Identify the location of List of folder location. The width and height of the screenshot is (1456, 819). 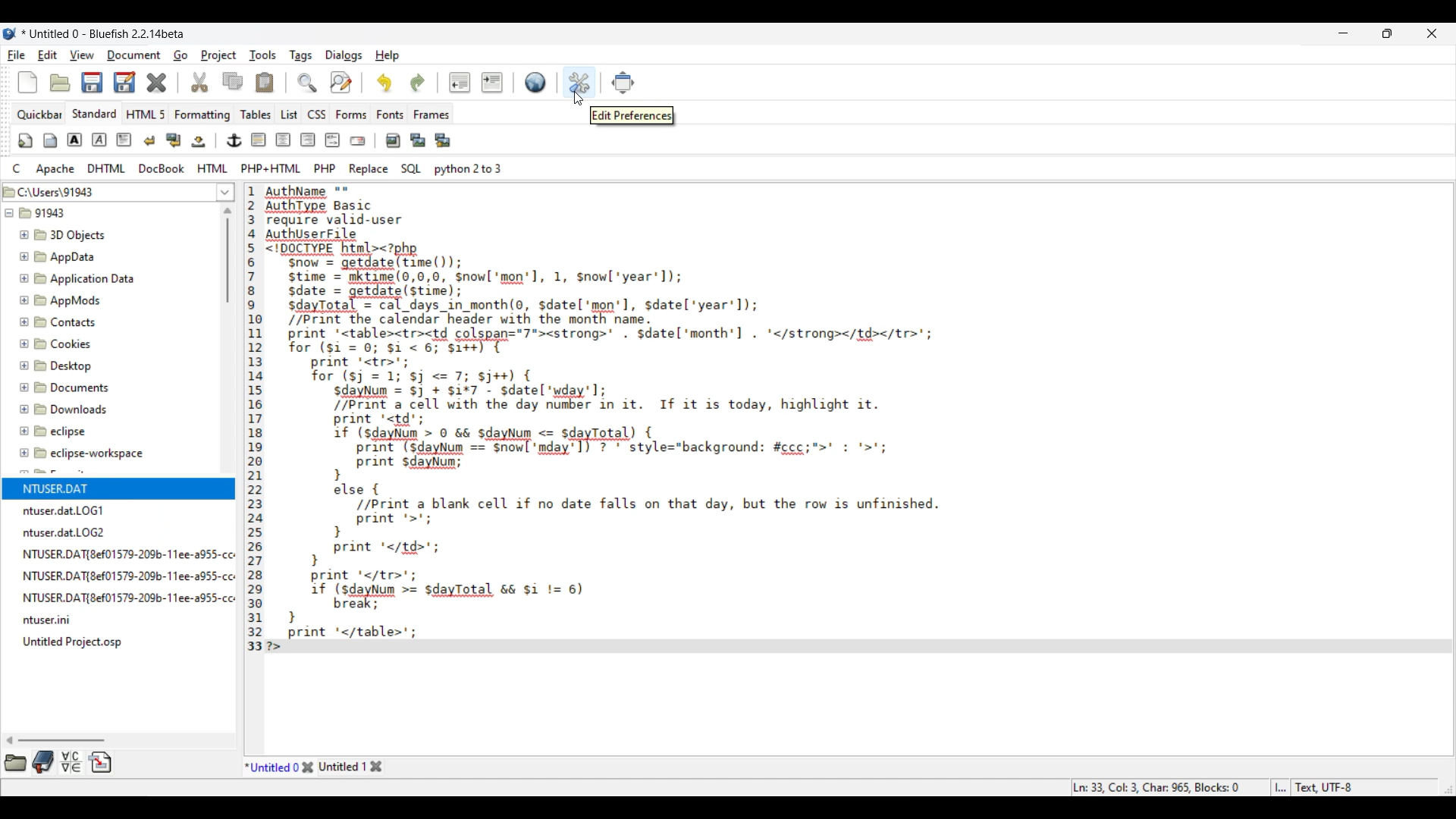
(225, 192).